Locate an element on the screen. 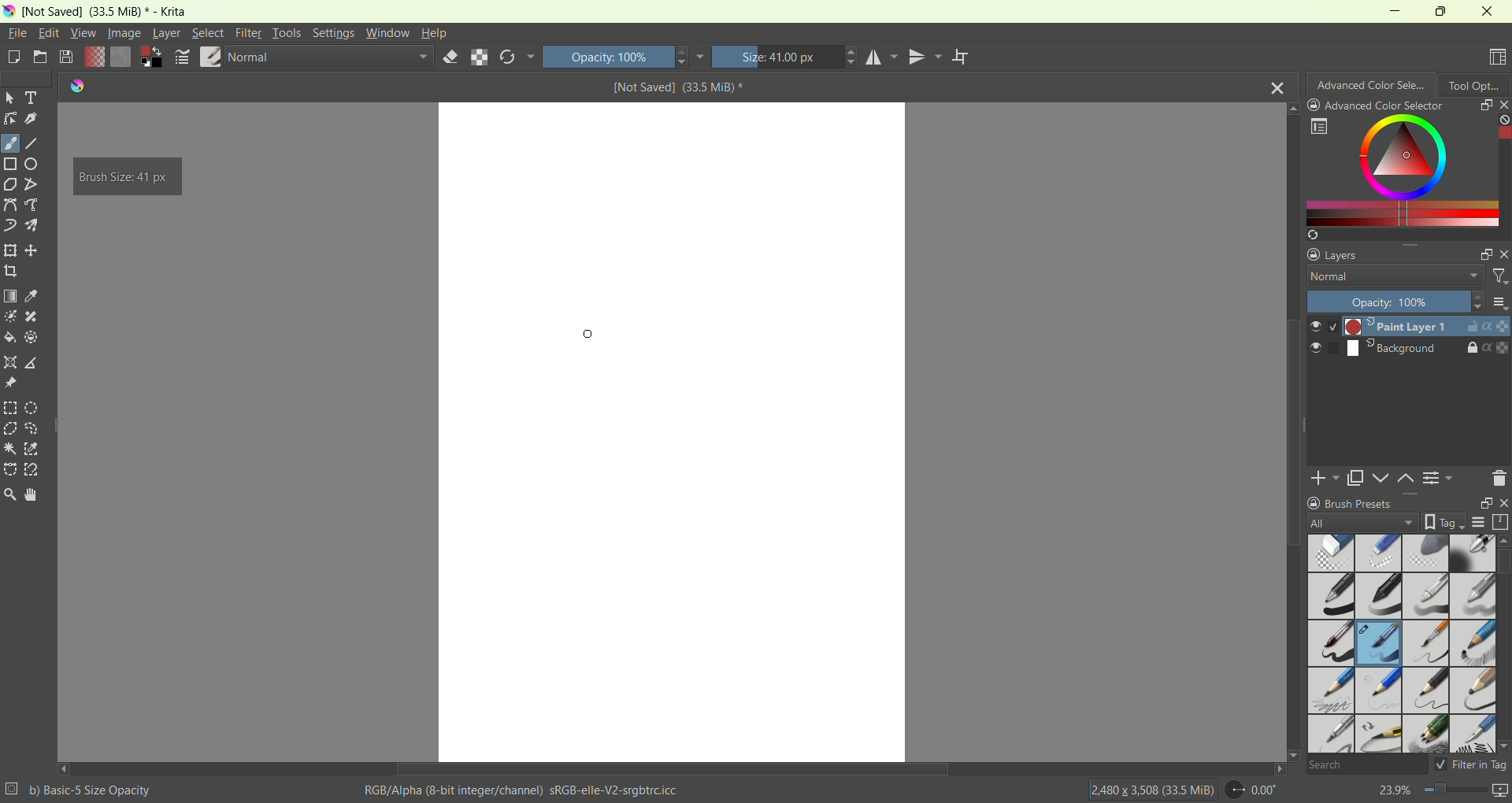 The width and height of the screenshot is (1512, 803). lock is located at coordinates (1472, 349).